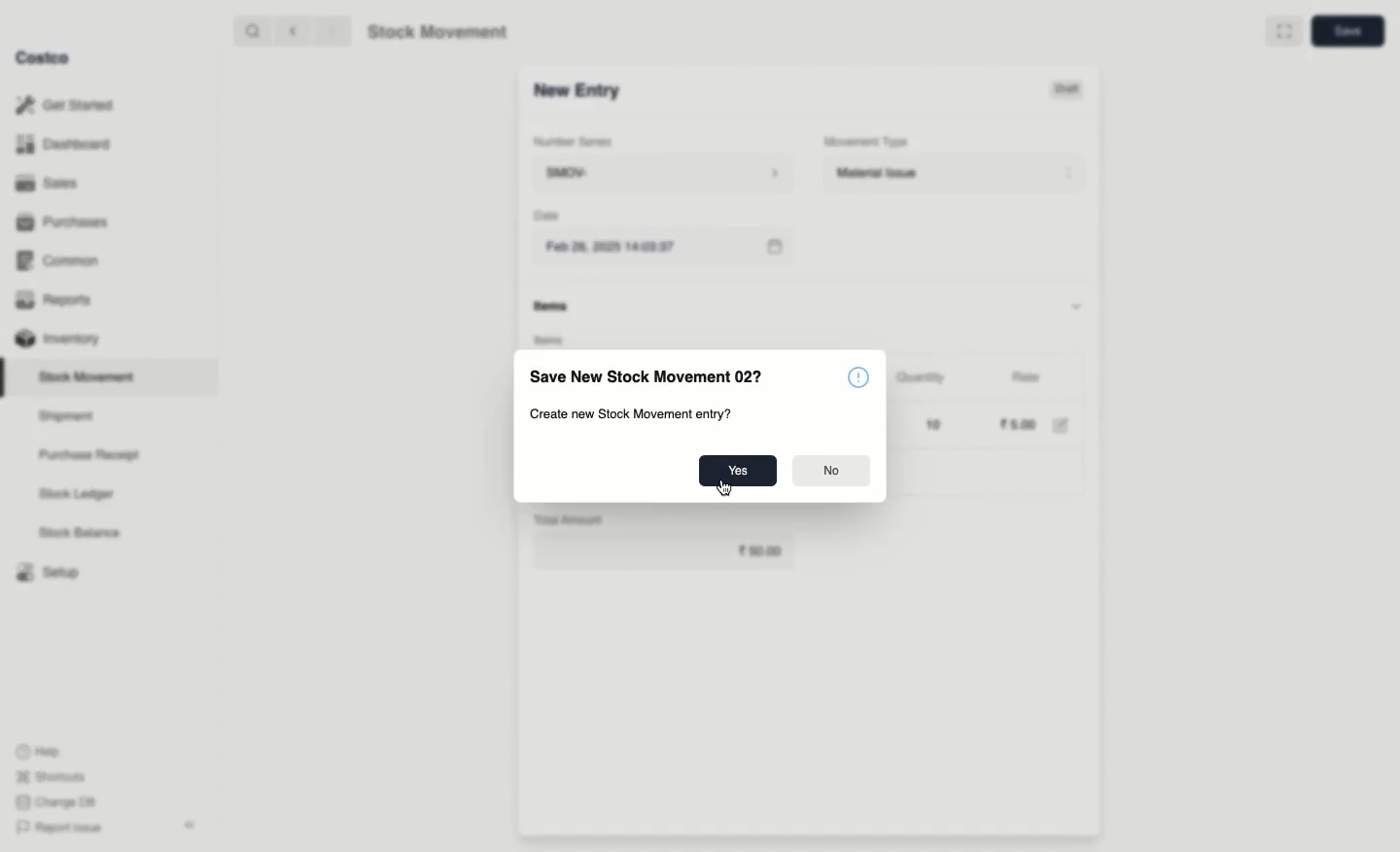 This screenshot has width=1400, height=852. What do you see at coordinates (1042, 91) in the screenshot?
I see `Draft` at bounding box center [1042, 91].